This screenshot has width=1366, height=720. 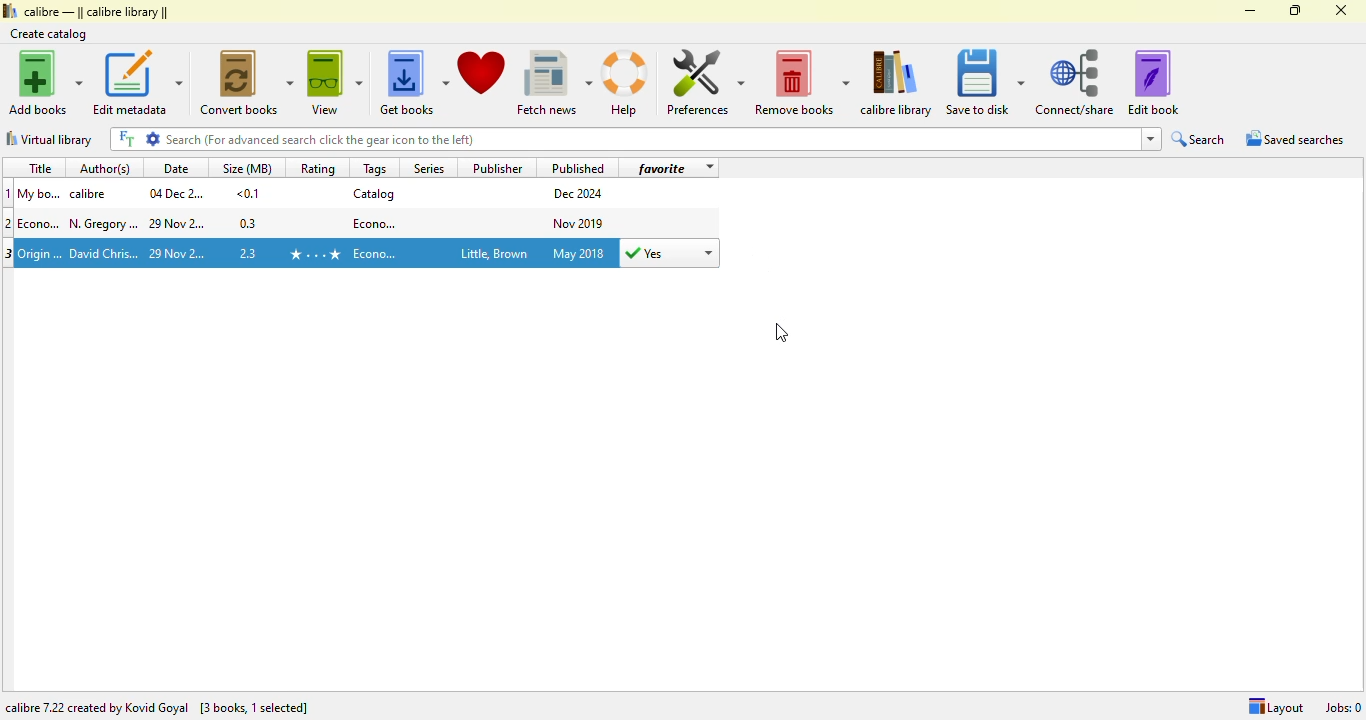 What do you see at coordinates (669, 253) in the screenshot?
I see `yes` at bounding box center [669, 253].